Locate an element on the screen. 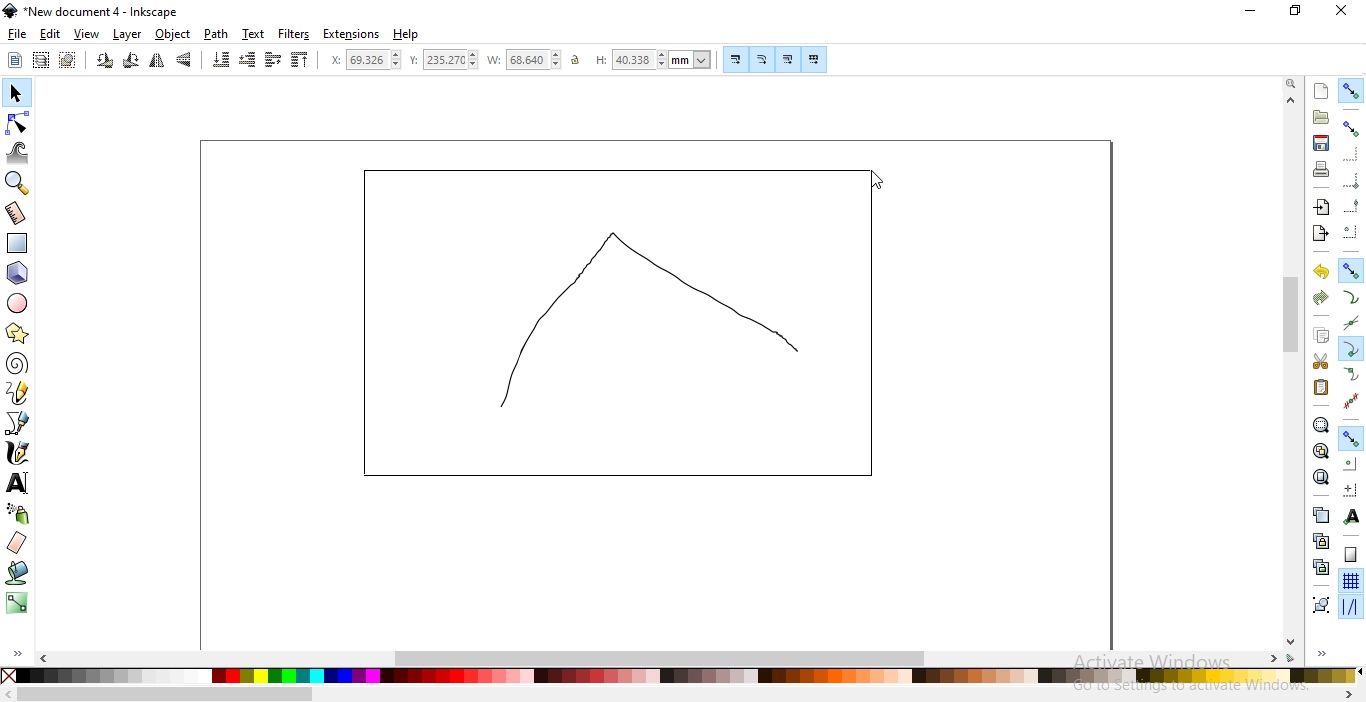 The width and height of the screenshot is (1366, 702). snap other points is located at coordinates (1351, 437).